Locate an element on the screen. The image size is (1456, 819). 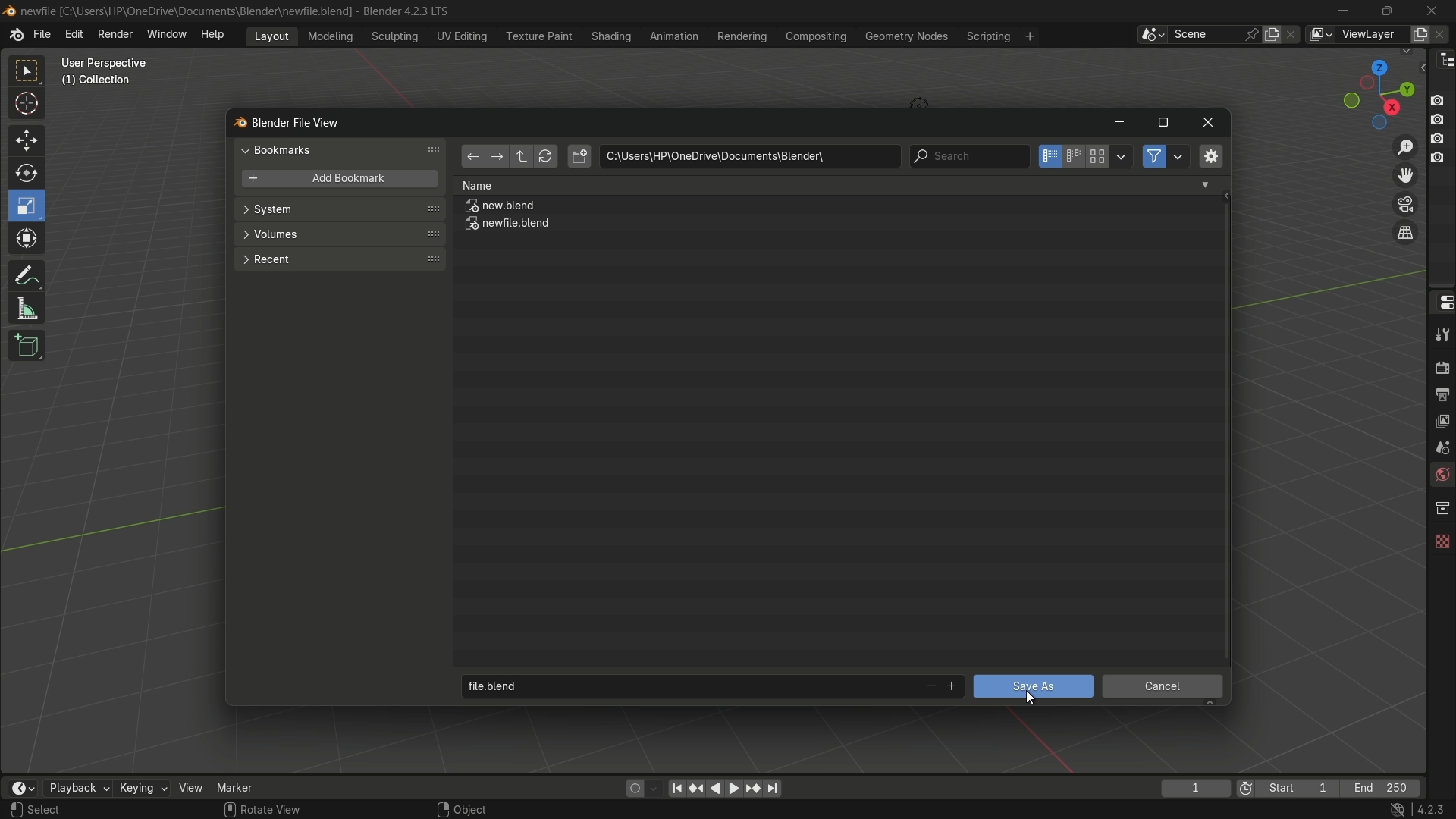
back is located at coordinates (472, 158).